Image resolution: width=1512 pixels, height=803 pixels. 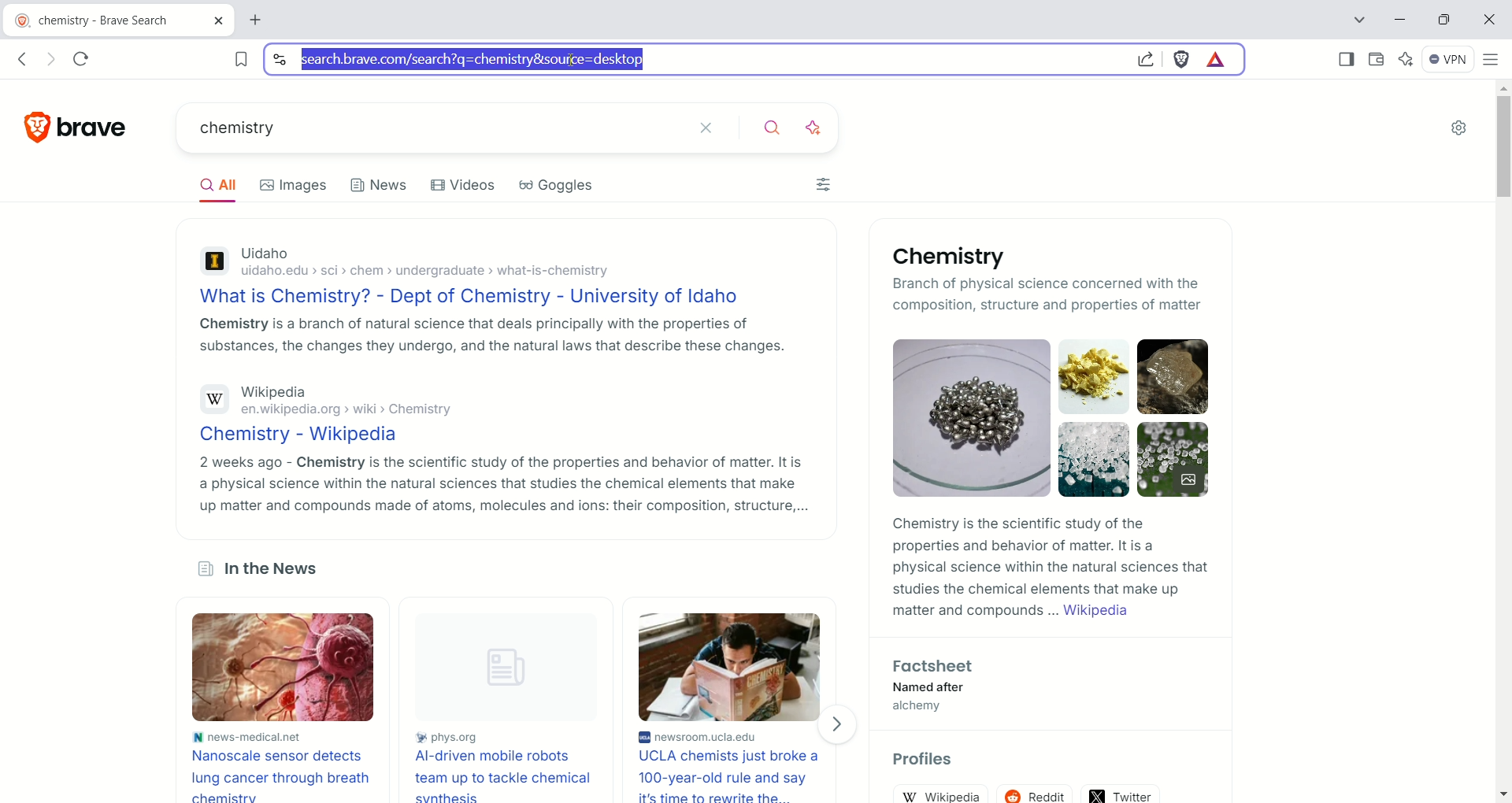 I want to click on newsroom.ucla.edu, so click(x=736, y=735).